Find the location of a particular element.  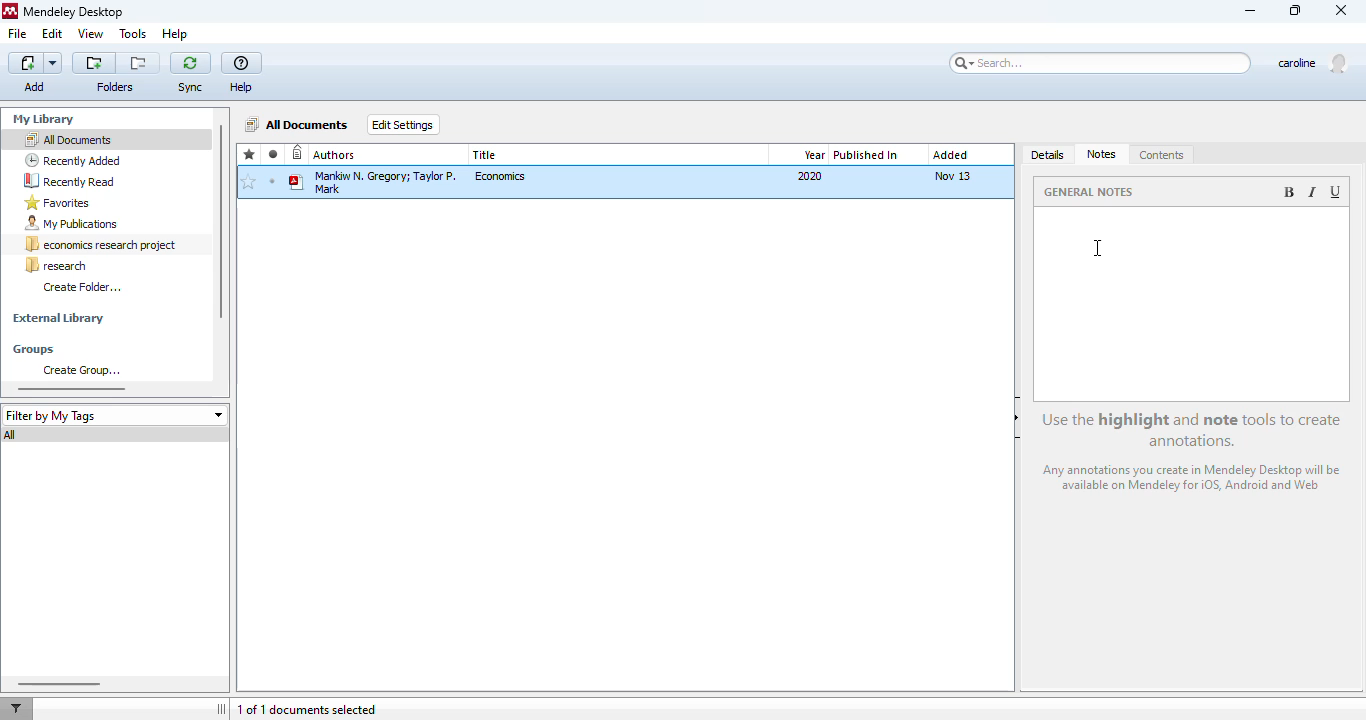

nov 13 is located at coordinates (952, 175).